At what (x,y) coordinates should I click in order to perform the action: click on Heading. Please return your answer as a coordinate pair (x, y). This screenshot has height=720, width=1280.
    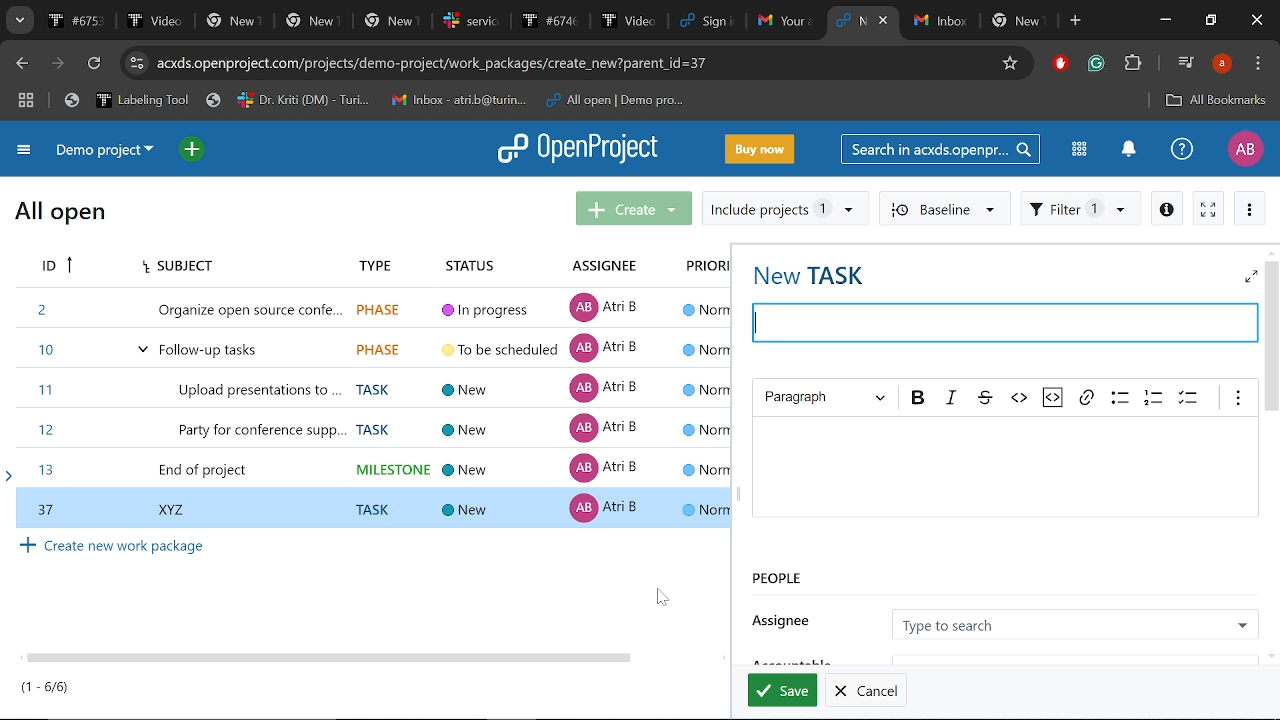
    Looking at the image, I should click on (826, 398).